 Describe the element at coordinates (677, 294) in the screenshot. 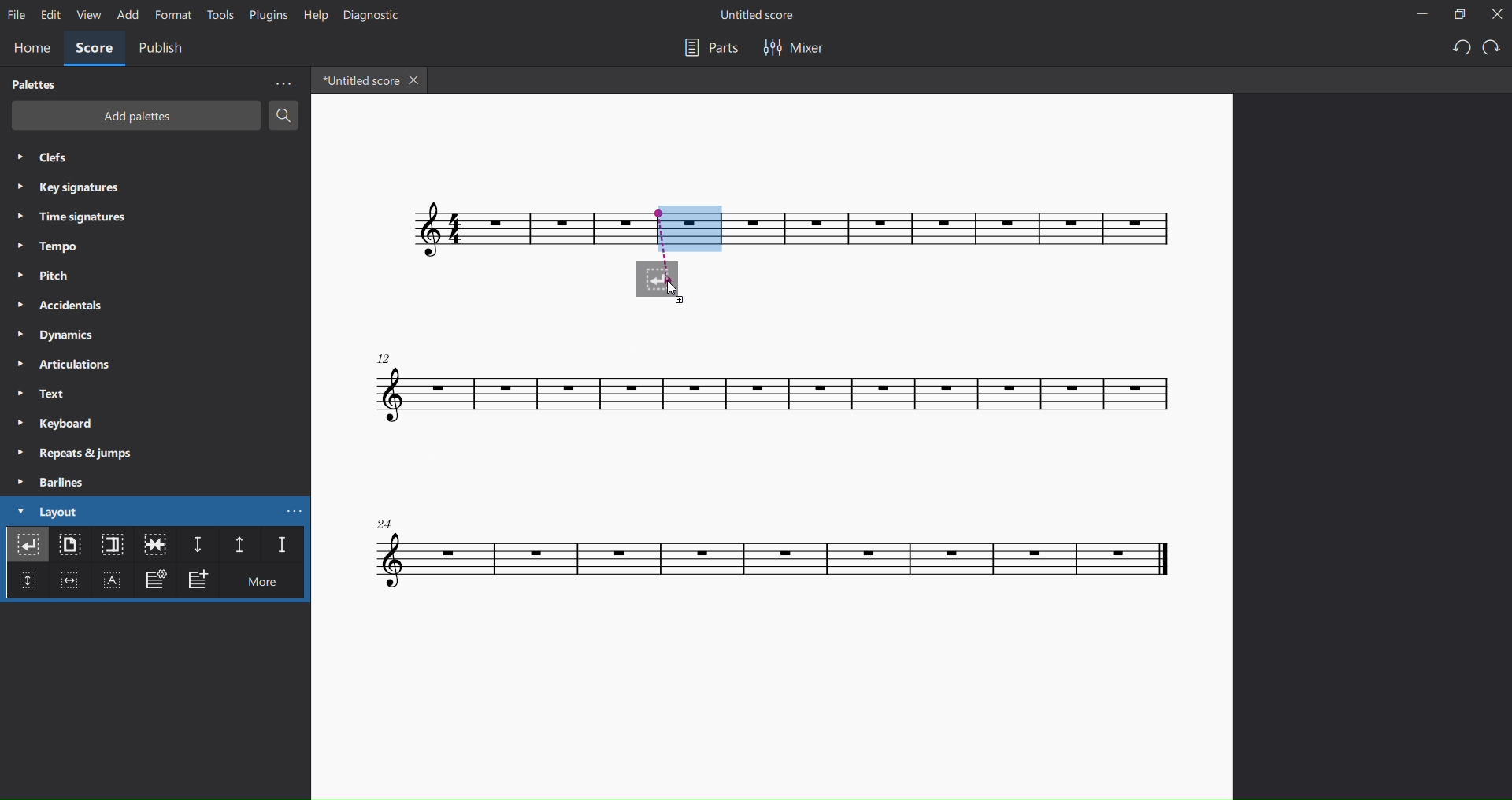

I see `cursor` at that location.